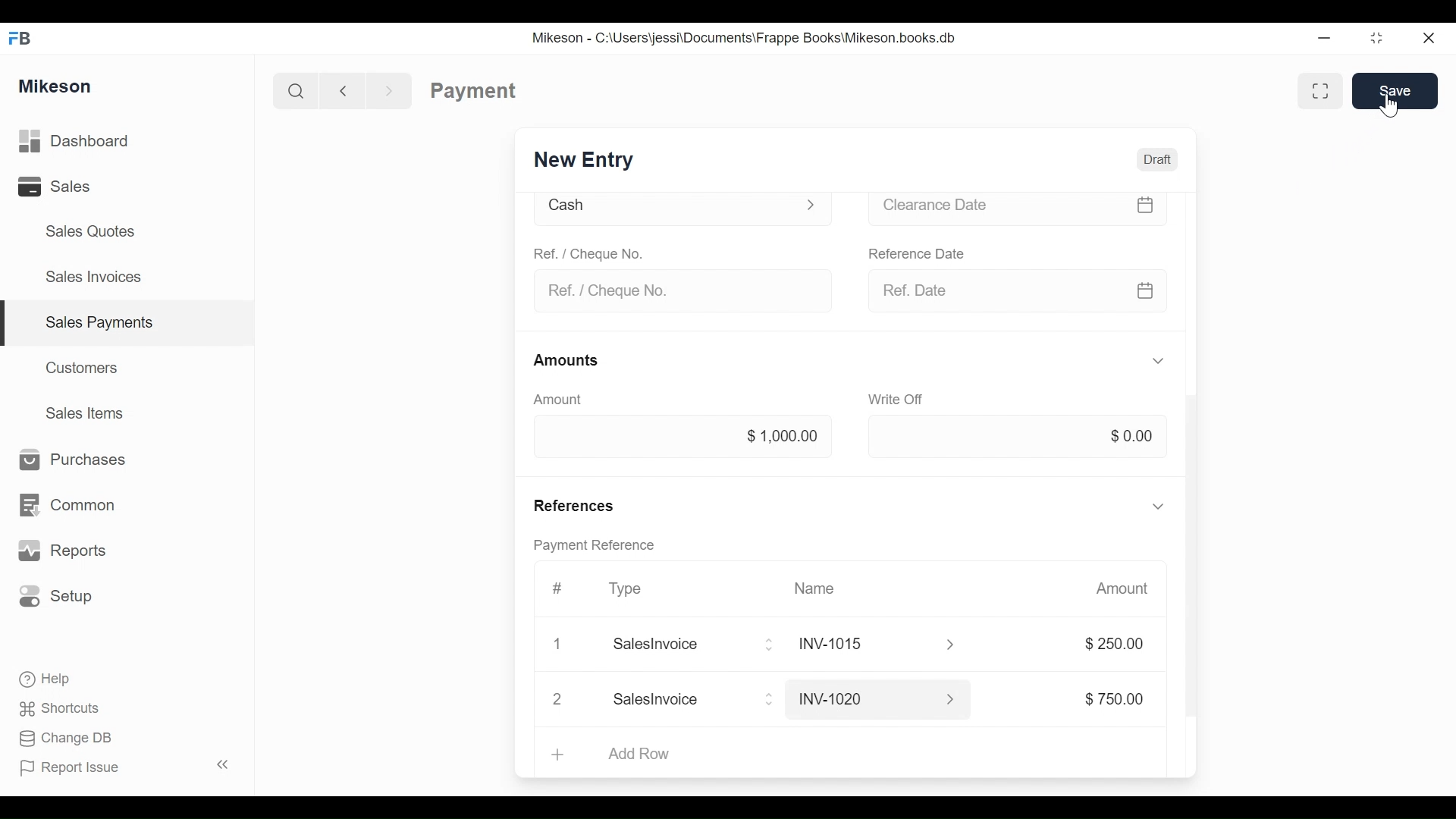  What do you see at coordinates (557, 697) in the screenshot?
I see `Close` at bounding box center [557, 697].